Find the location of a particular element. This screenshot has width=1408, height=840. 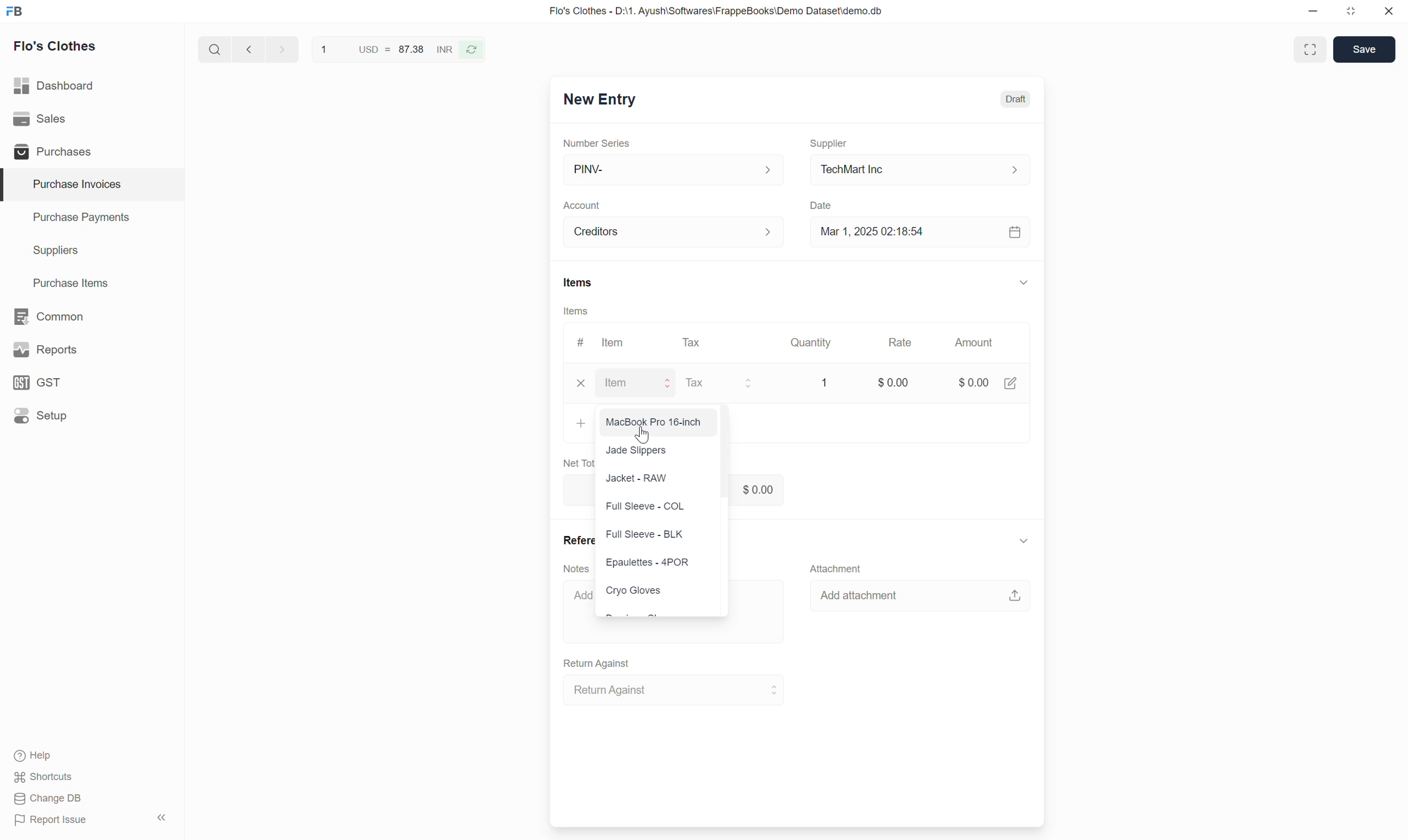

Change dimension is located at coordinates (1351, 11).